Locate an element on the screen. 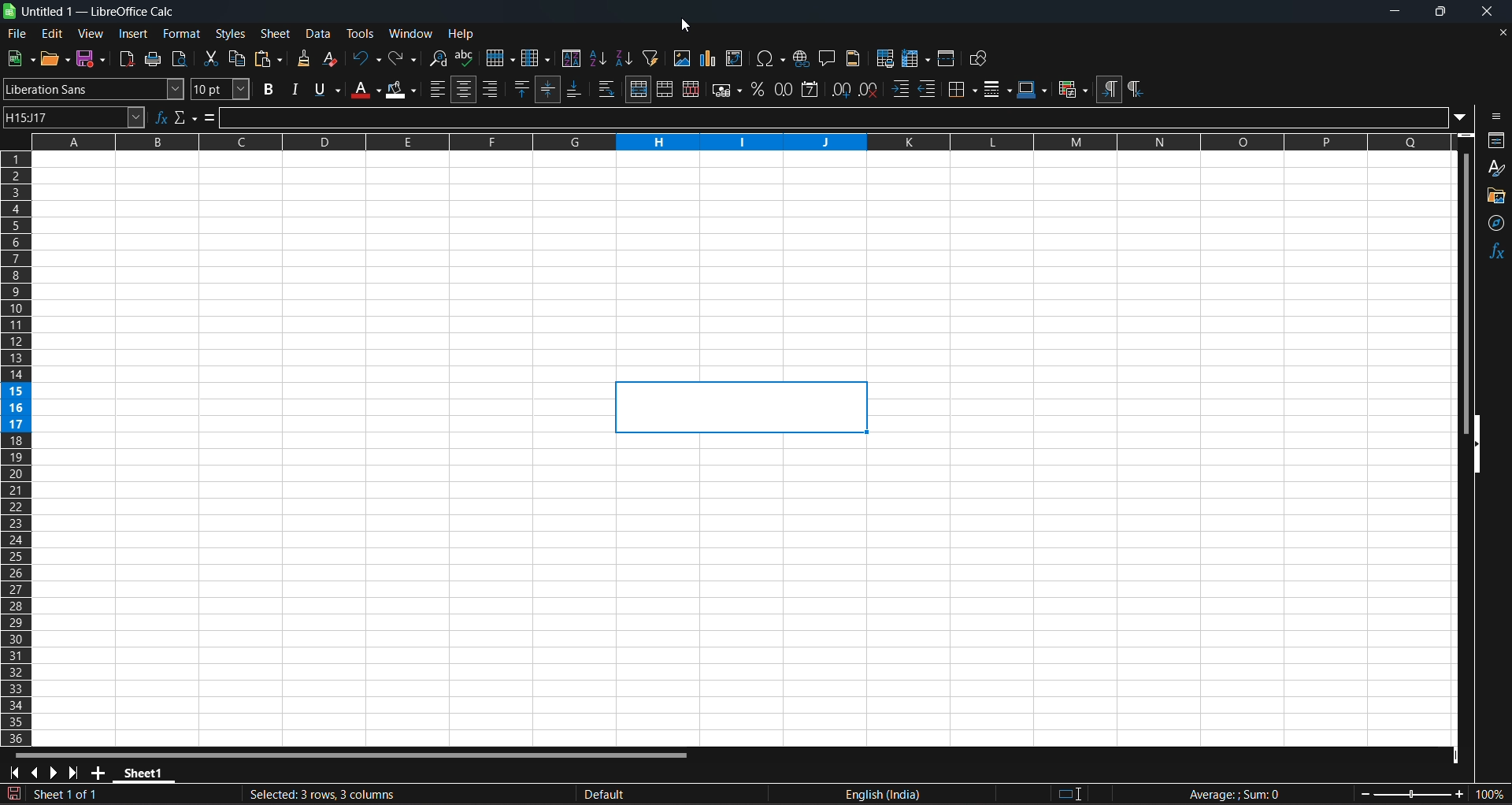 The height and width of the screenshot is (805, 1512). styles is located at coordinates (230, 35).